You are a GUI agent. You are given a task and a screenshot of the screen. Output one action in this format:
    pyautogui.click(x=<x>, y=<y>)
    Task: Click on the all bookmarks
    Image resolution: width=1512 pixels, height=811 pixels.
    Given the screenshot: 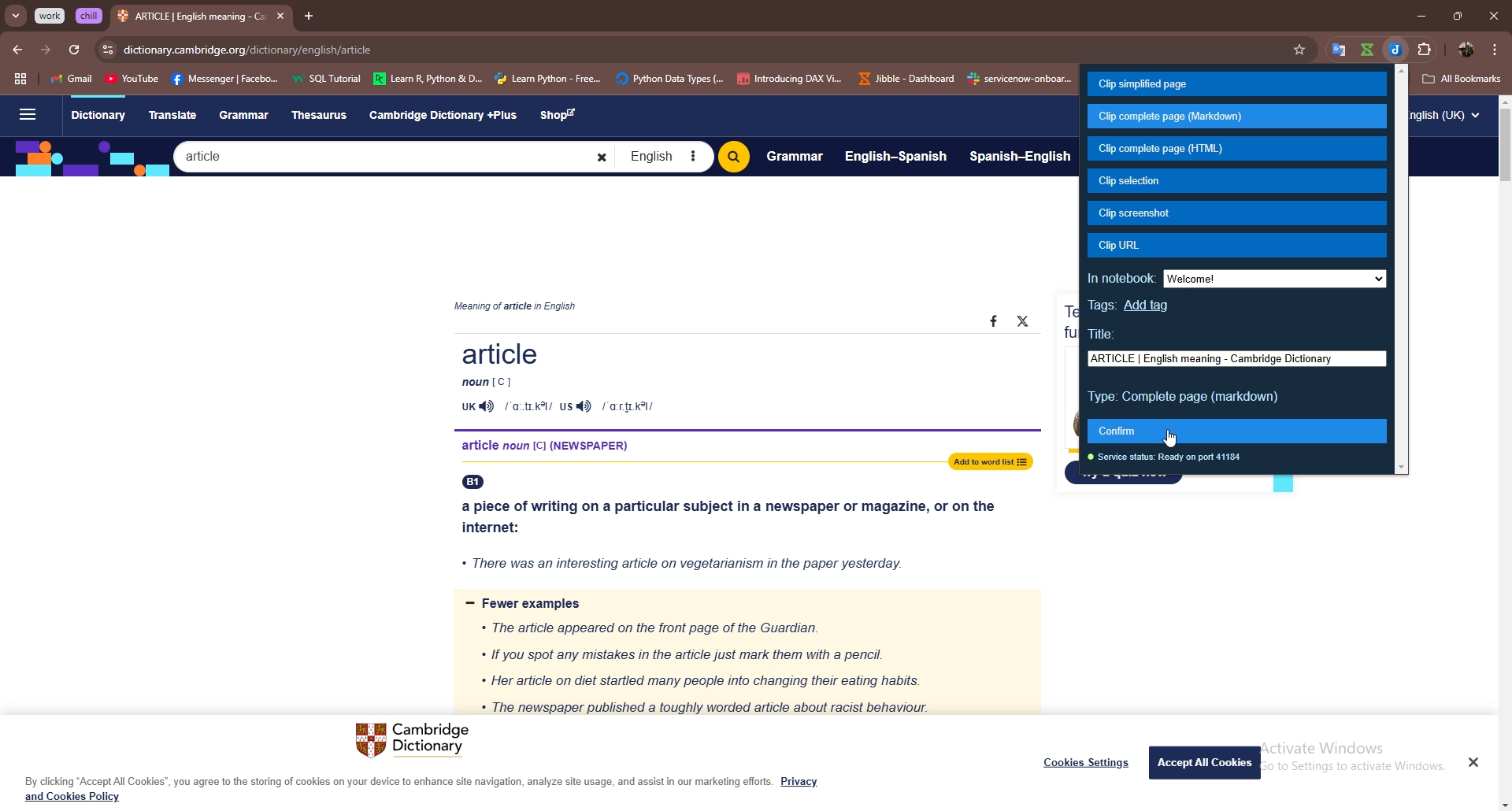 What is the action you would take?
    pyautogui.click(x=1462, y=79)
    